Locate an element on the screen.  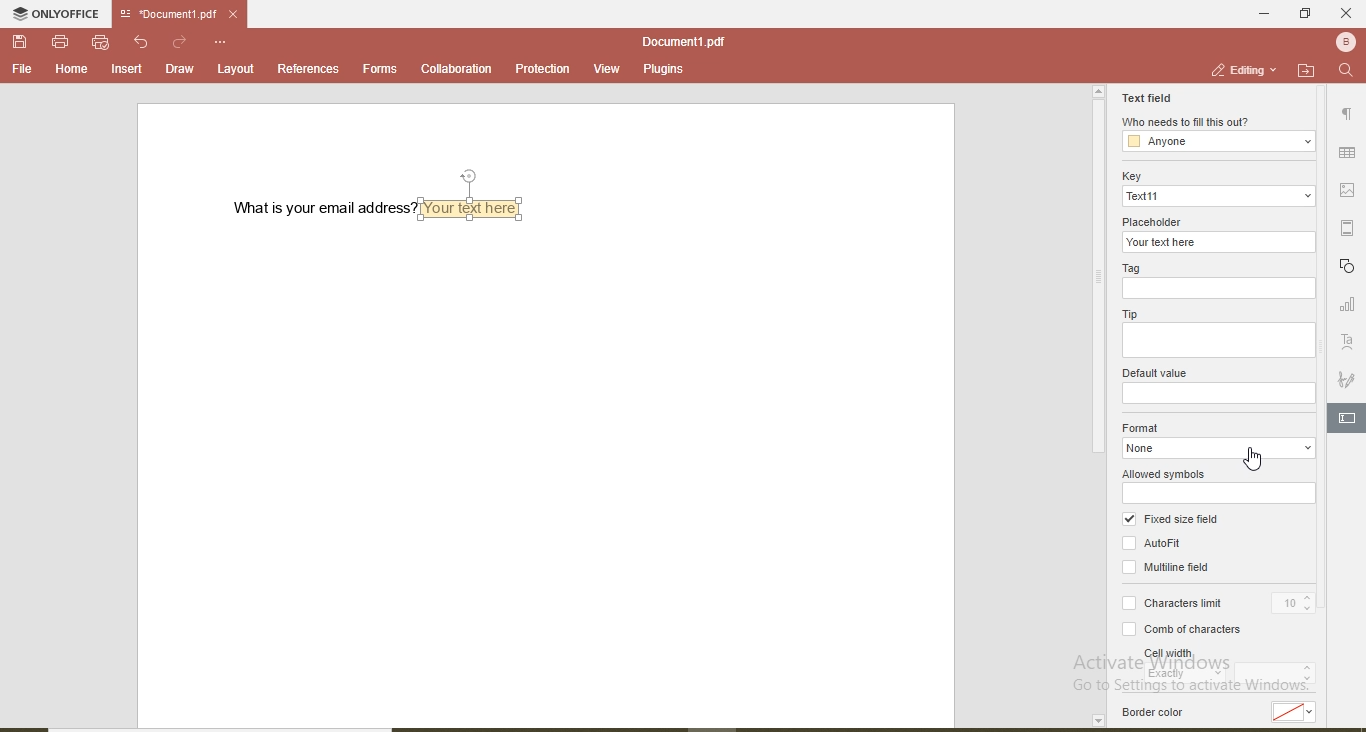
references is located at coordinates (308, 68).